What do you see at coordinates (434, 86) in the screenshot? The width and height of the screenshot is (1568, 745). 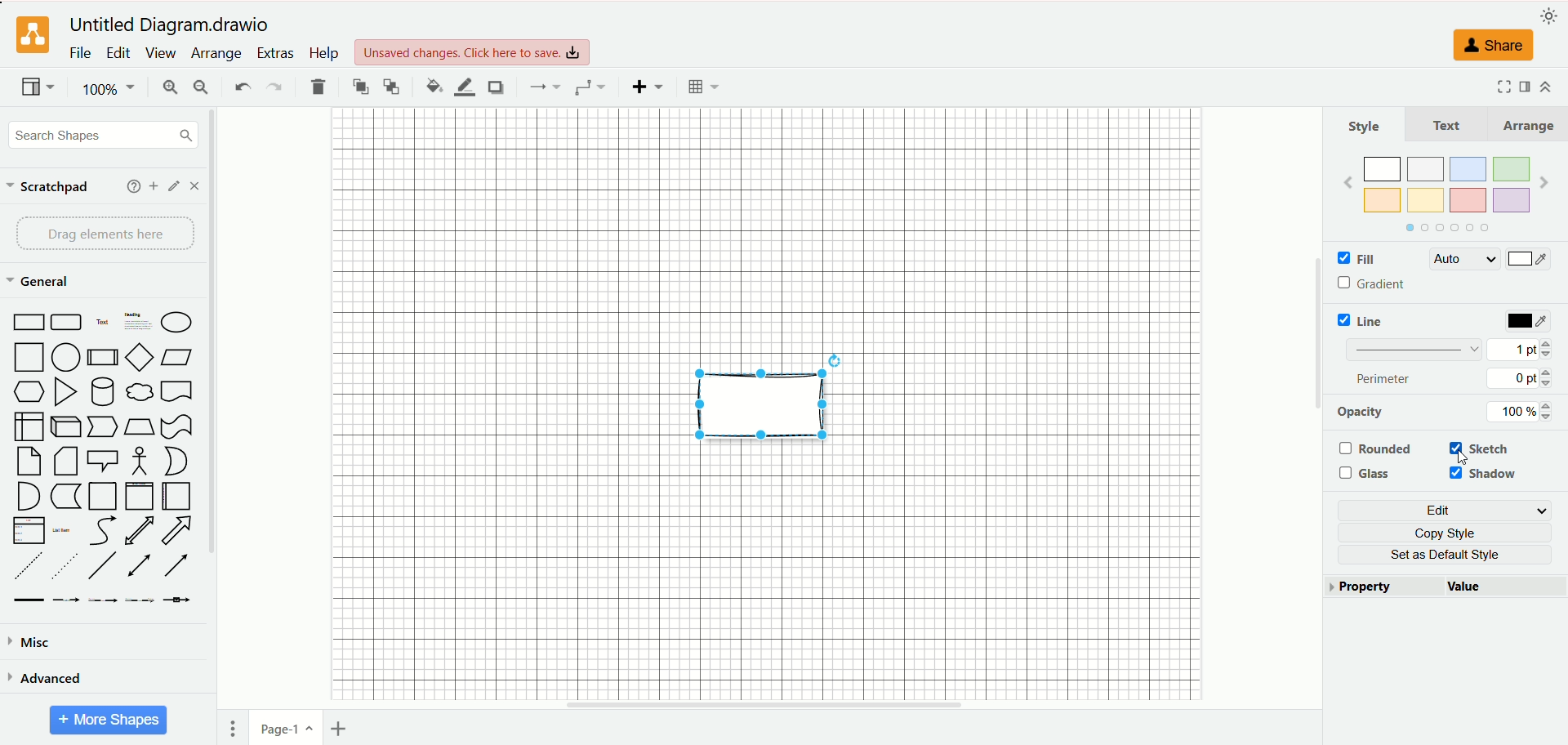 I see `fill color` at bounding box center [434, 86].